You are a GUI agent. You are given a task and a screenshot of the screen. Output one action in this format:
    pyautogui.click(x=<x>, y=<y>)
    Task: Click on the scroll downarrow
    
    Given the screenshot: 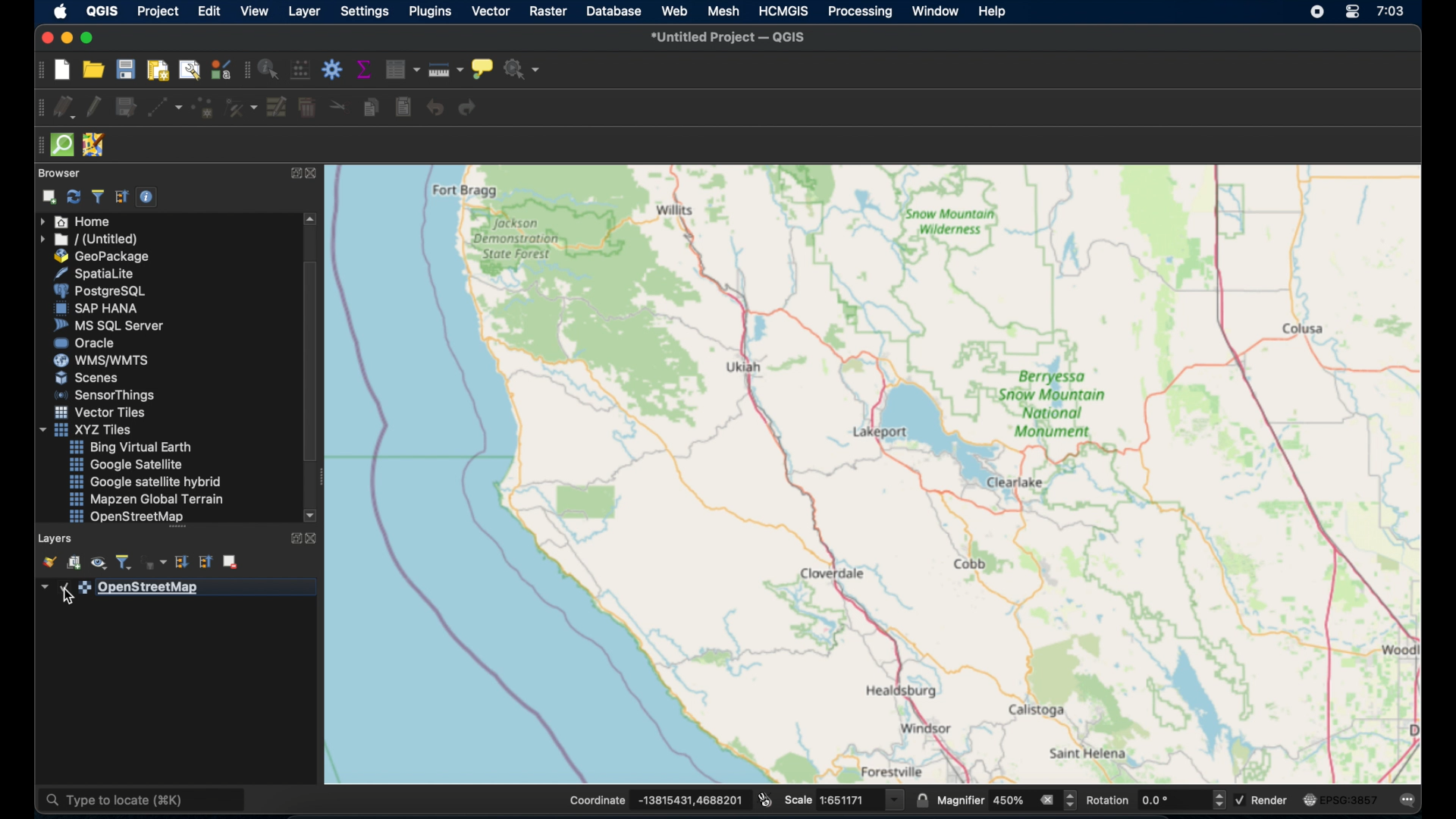 What is the action you would take?
    pyautogui.click(x=315, y=516)
    